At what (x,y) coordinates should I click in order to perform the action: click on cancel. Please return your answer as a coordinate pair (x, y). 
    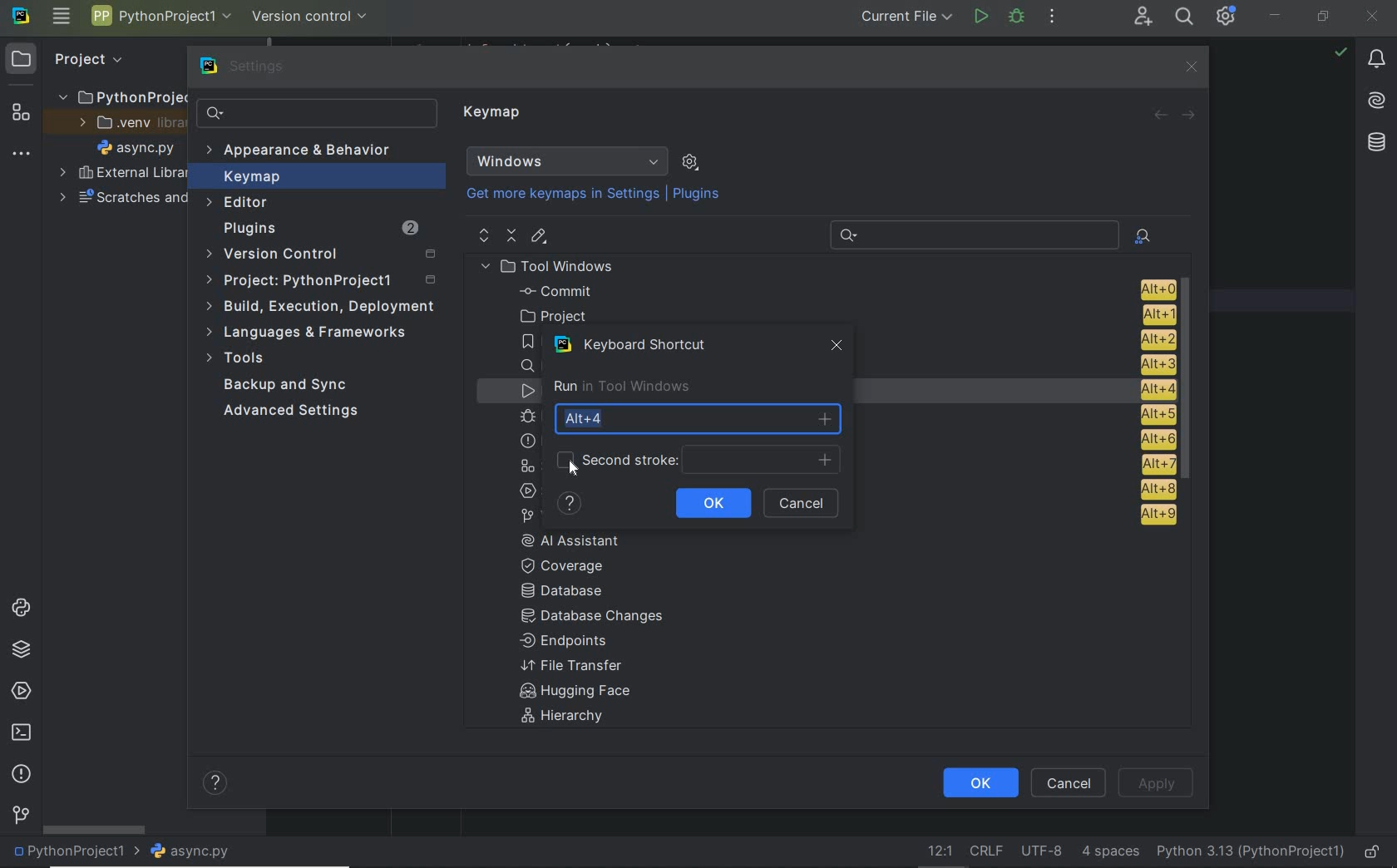
    Looking at the image, I should click on (804, 504).